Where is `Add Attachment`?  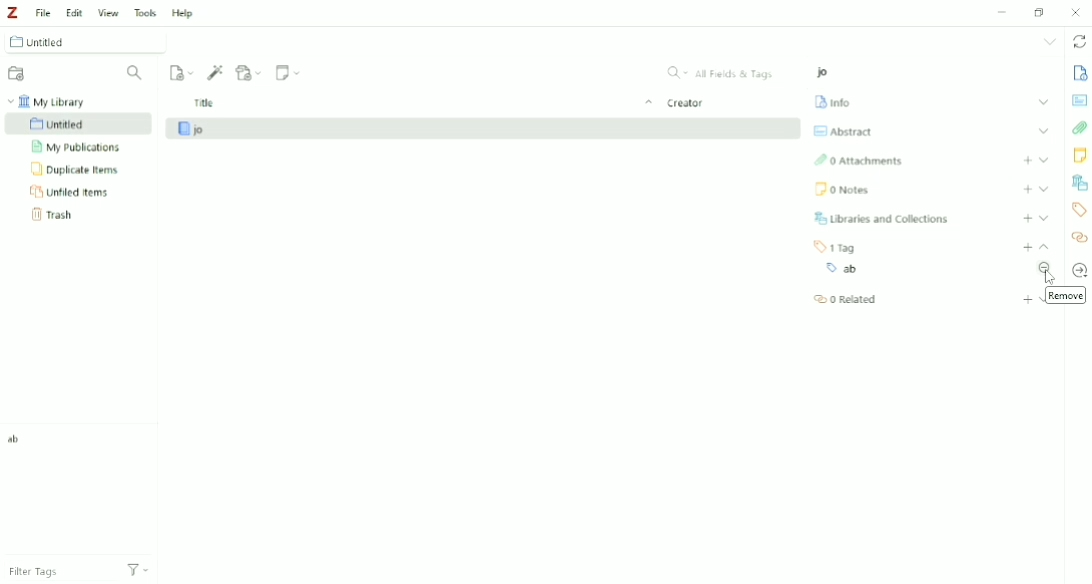 Add Attachment is located at coordinates (248, 73).